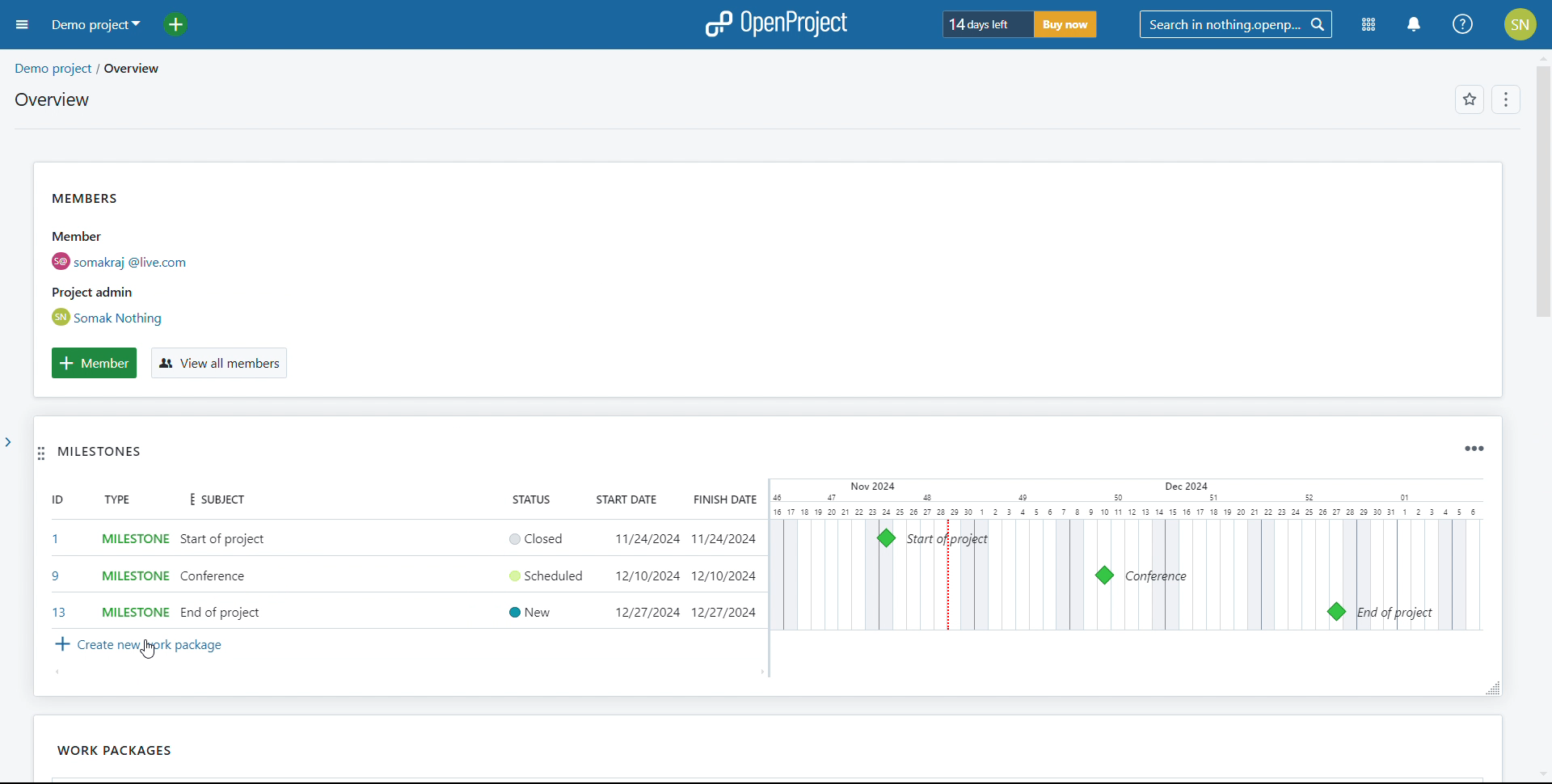 This screenshot has height=784, width=1552. Describe the element at coordinates (41, 455) in the screenshot. I see `move widget` at that location.